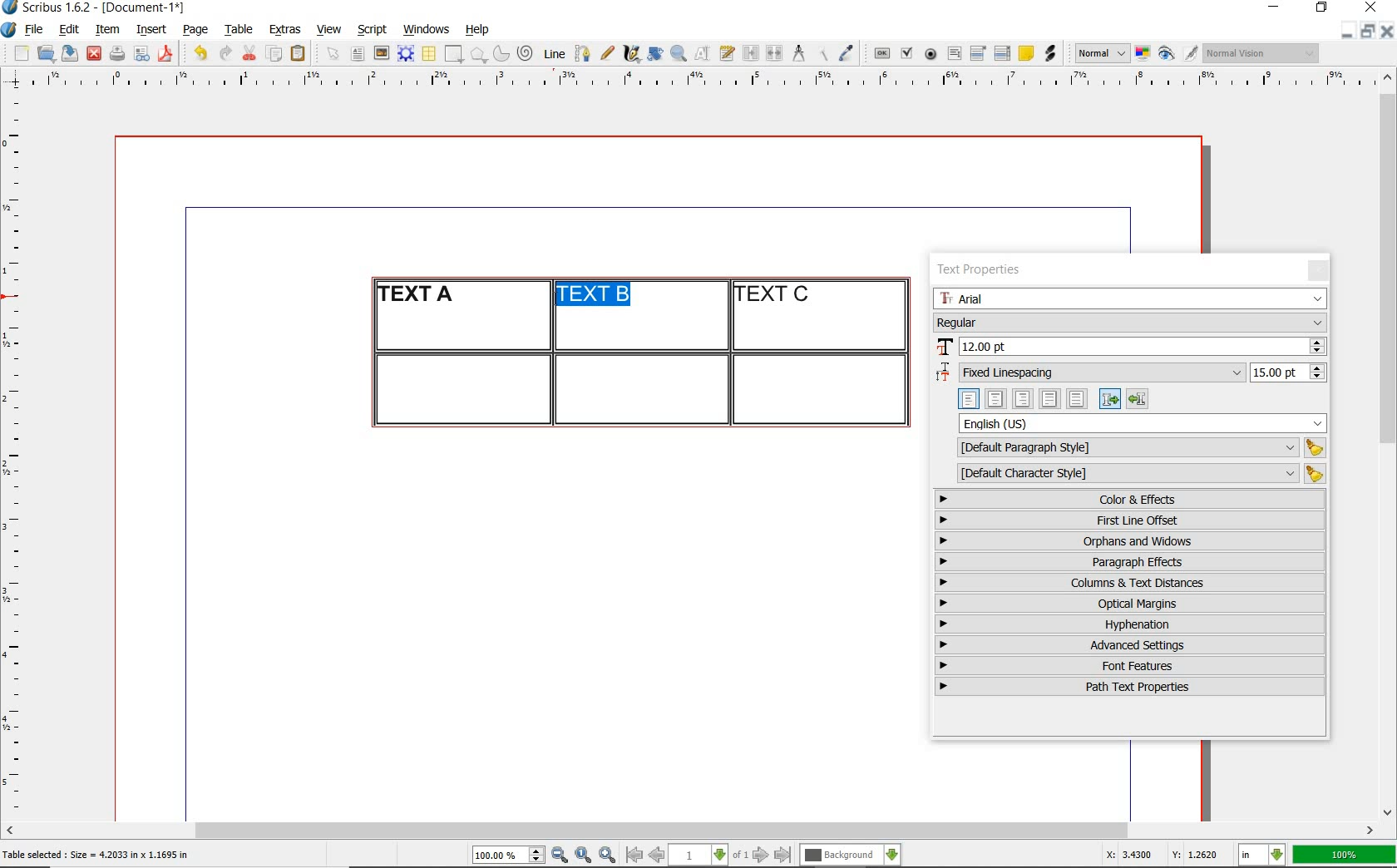 This screenshot has width=1397, height=868. I want to click on visual appearance of the display, so click(1262, 53).